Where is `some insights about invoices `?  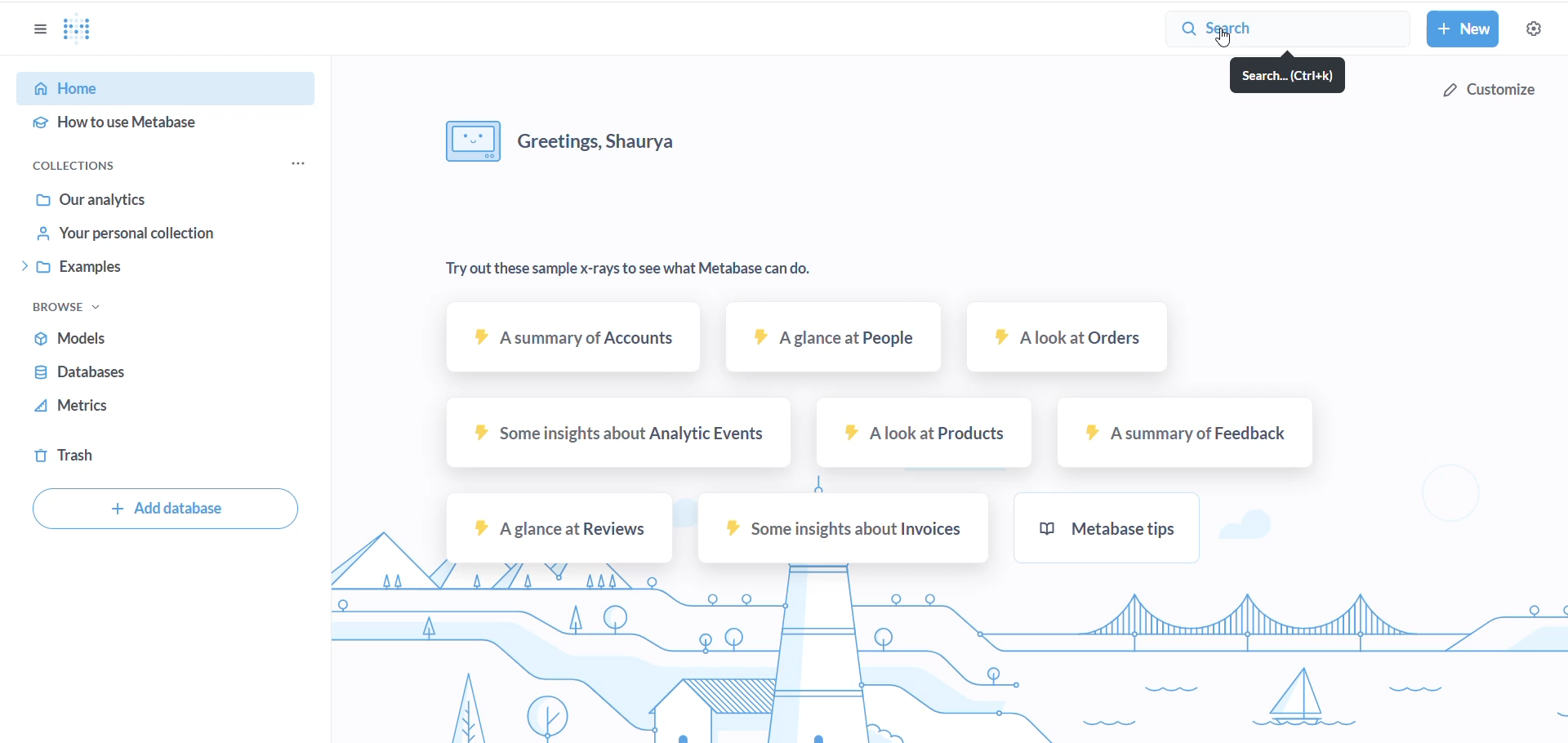
some insights about invoices  is located at coordinates (840, 532).